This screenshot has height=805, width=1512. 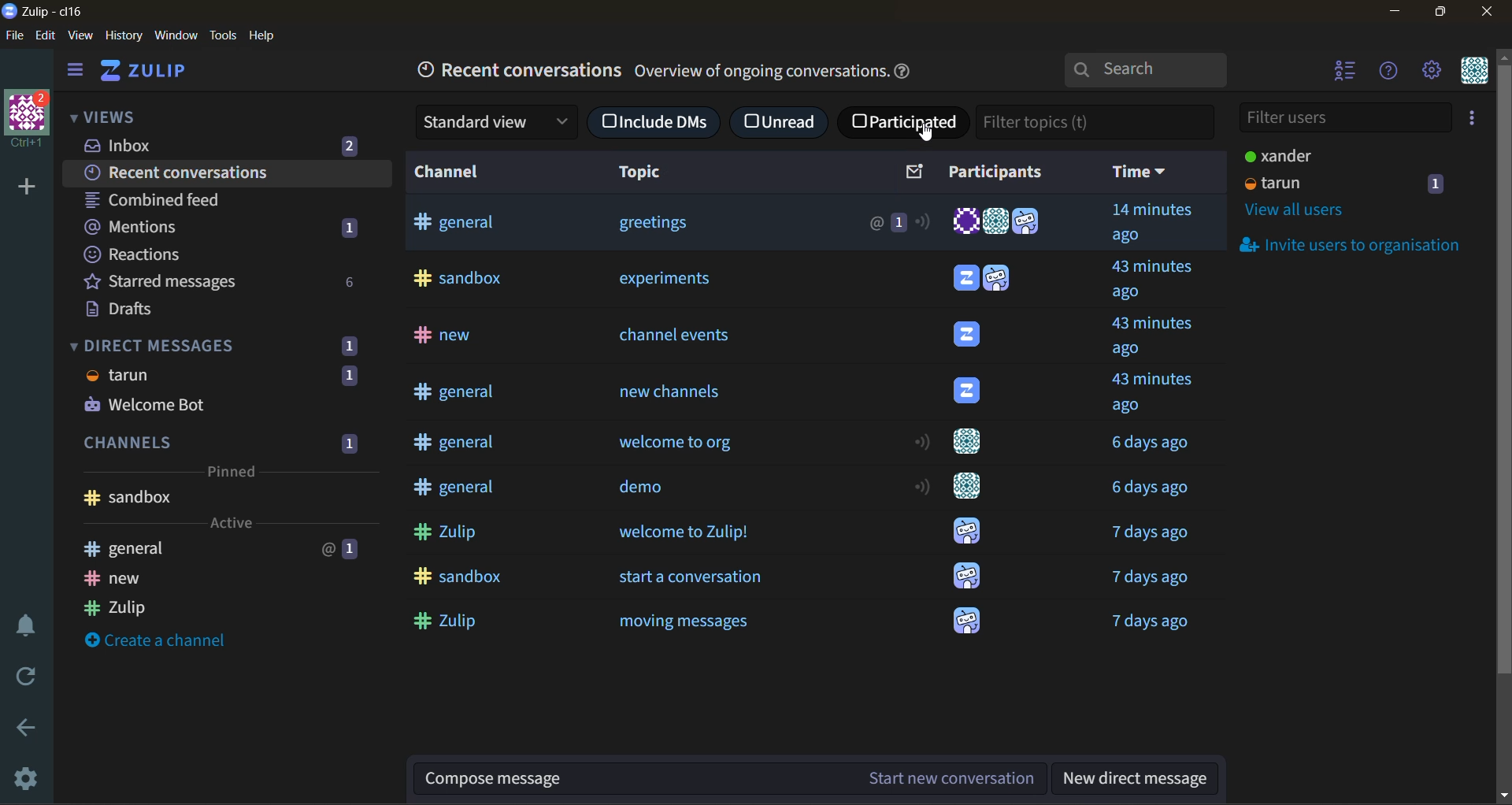 I want to click on combined feed, so click(x=158, y=198).